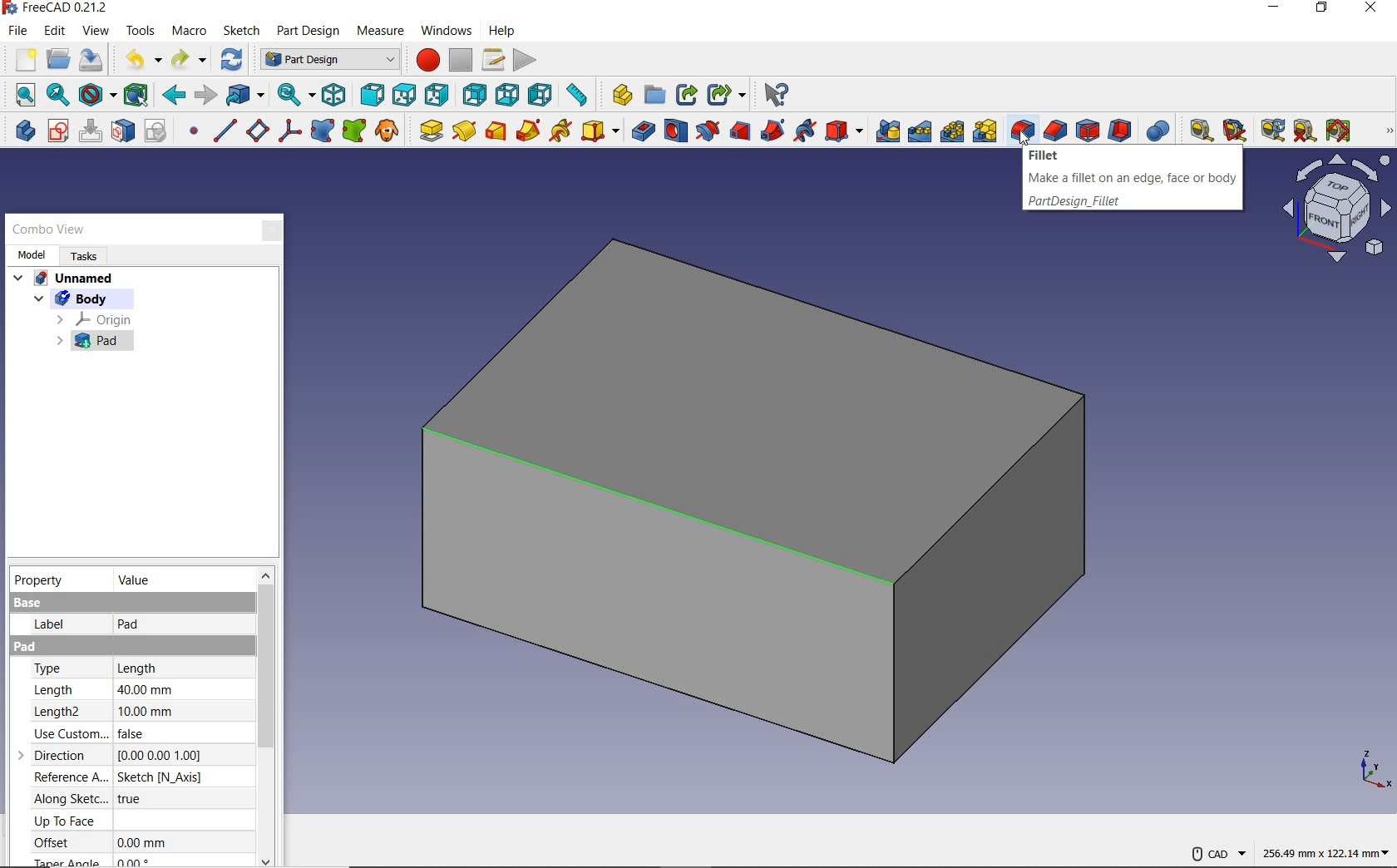  What do you see at coordinates (1305, 134) in the screenshot?
I see `clear all` at bounding box center [1305, 134].